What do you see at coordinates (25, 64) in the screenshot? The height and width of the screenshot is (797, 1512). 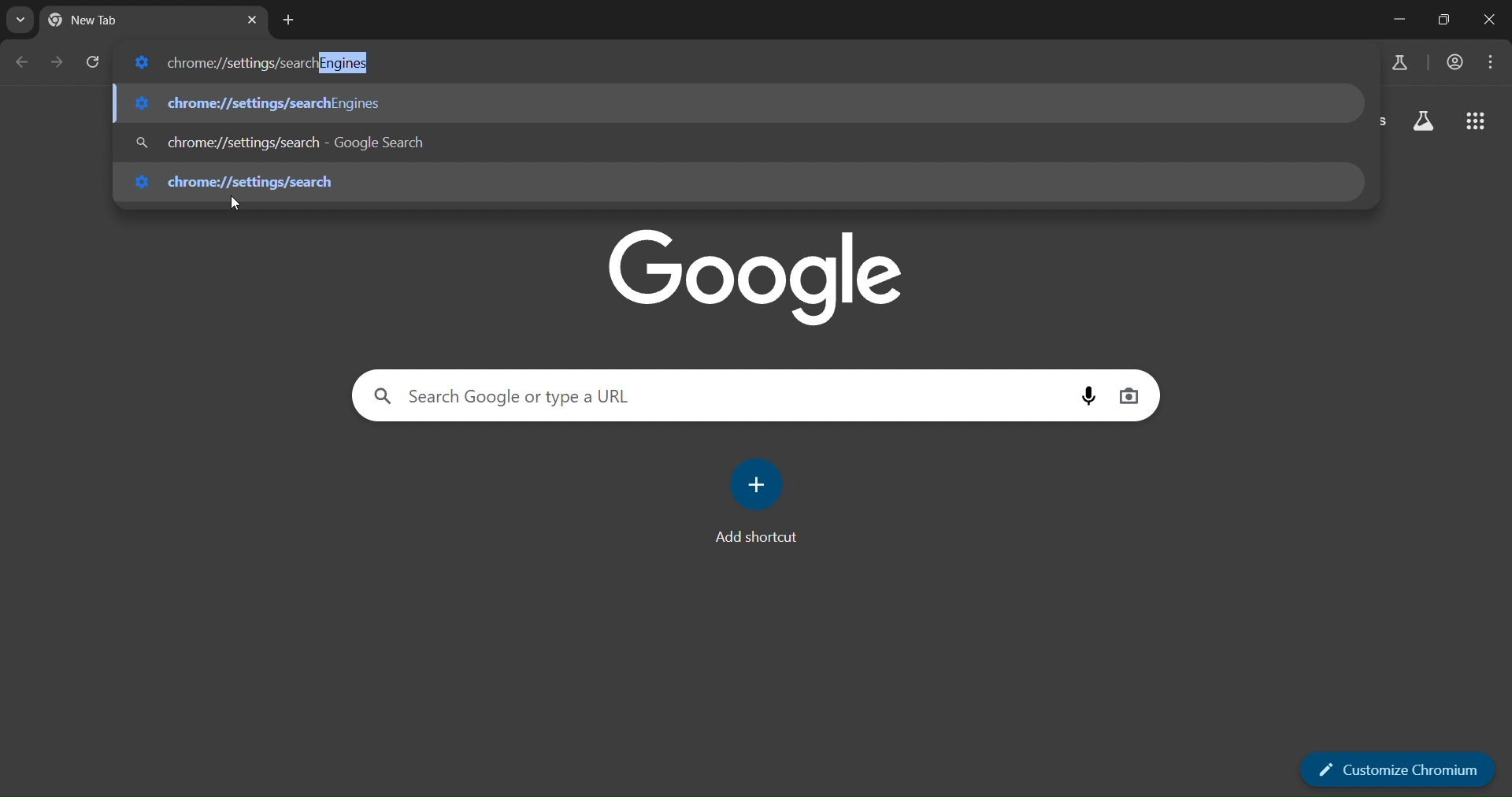 I see `go back 1 page` at bounding box center [25, 64].